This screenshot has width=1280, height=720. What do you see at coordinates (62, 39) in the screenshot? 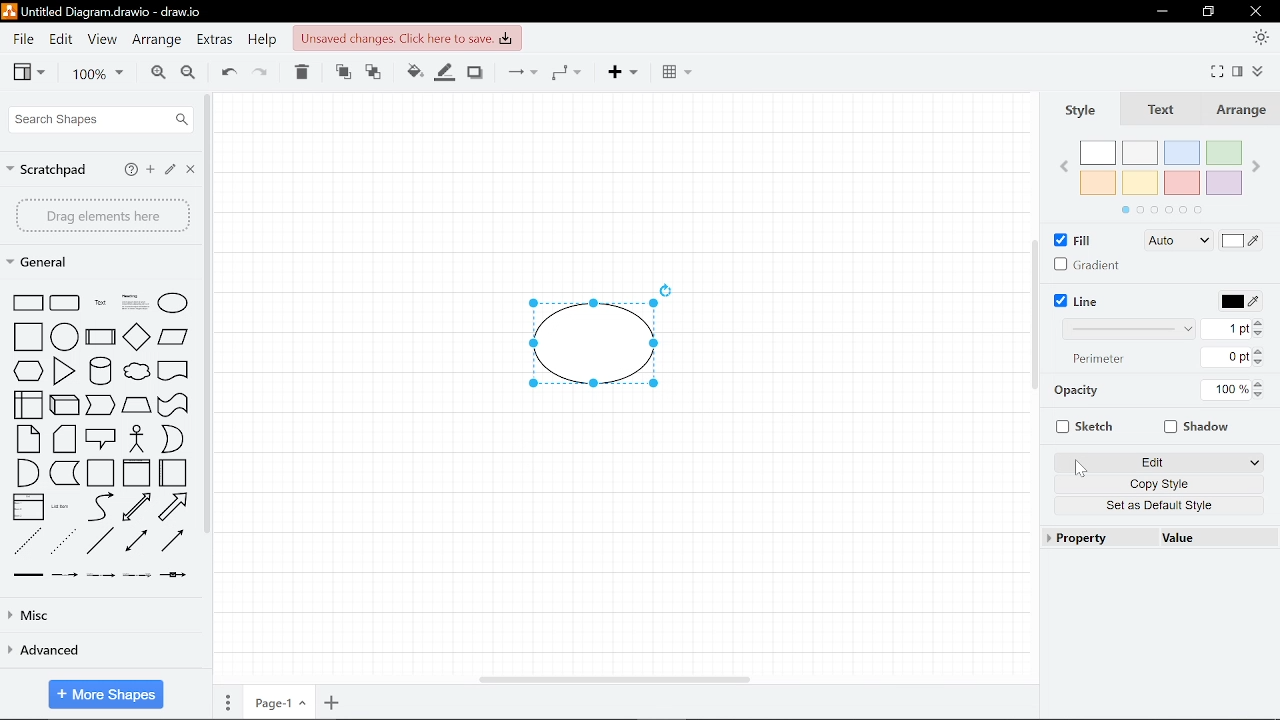
I see `Edit` at bounding box center [62, 39].